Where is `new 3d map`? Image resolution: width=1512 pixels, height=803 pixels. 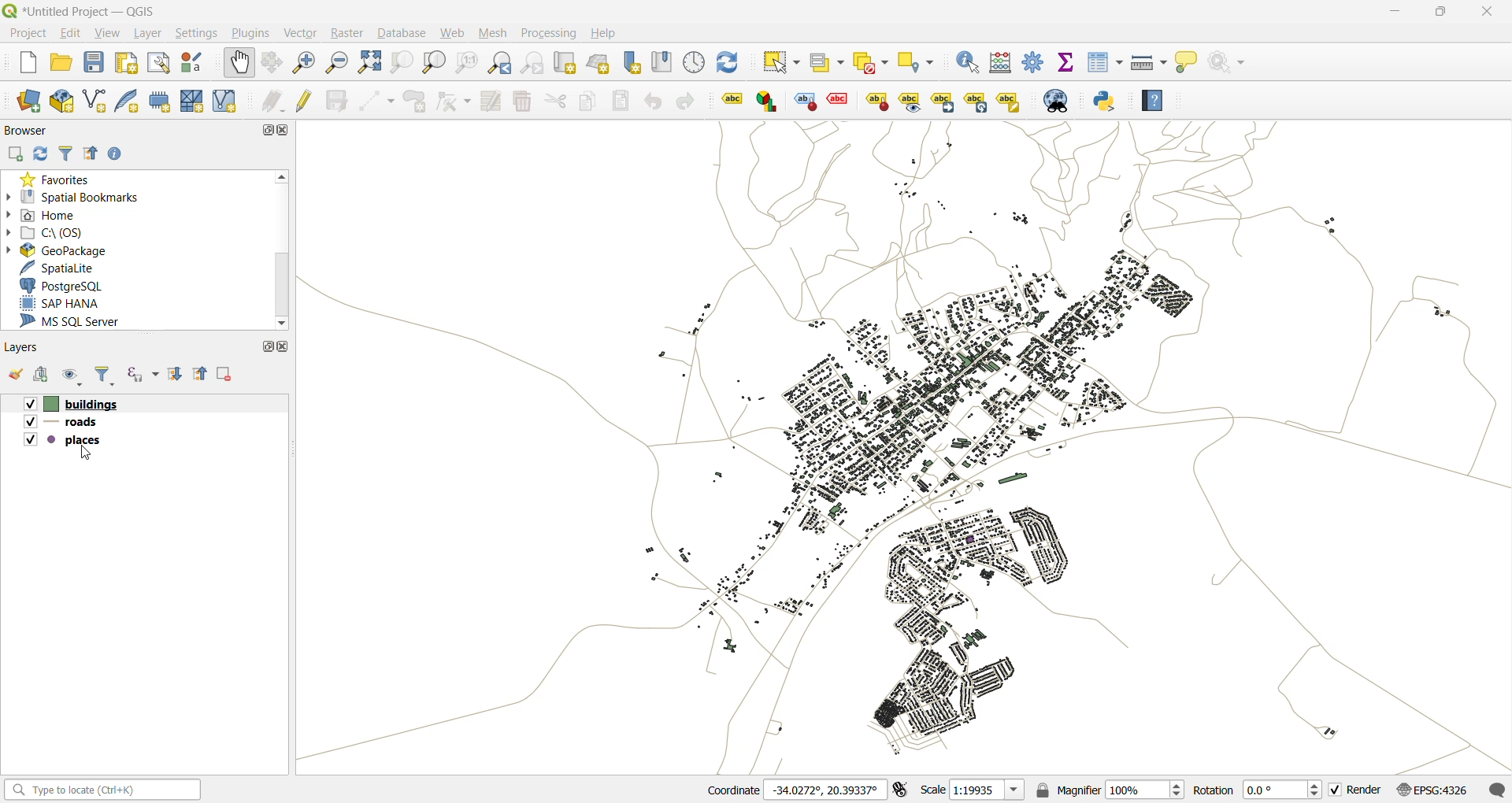
new 3d map is located at coordinates (599, 63).